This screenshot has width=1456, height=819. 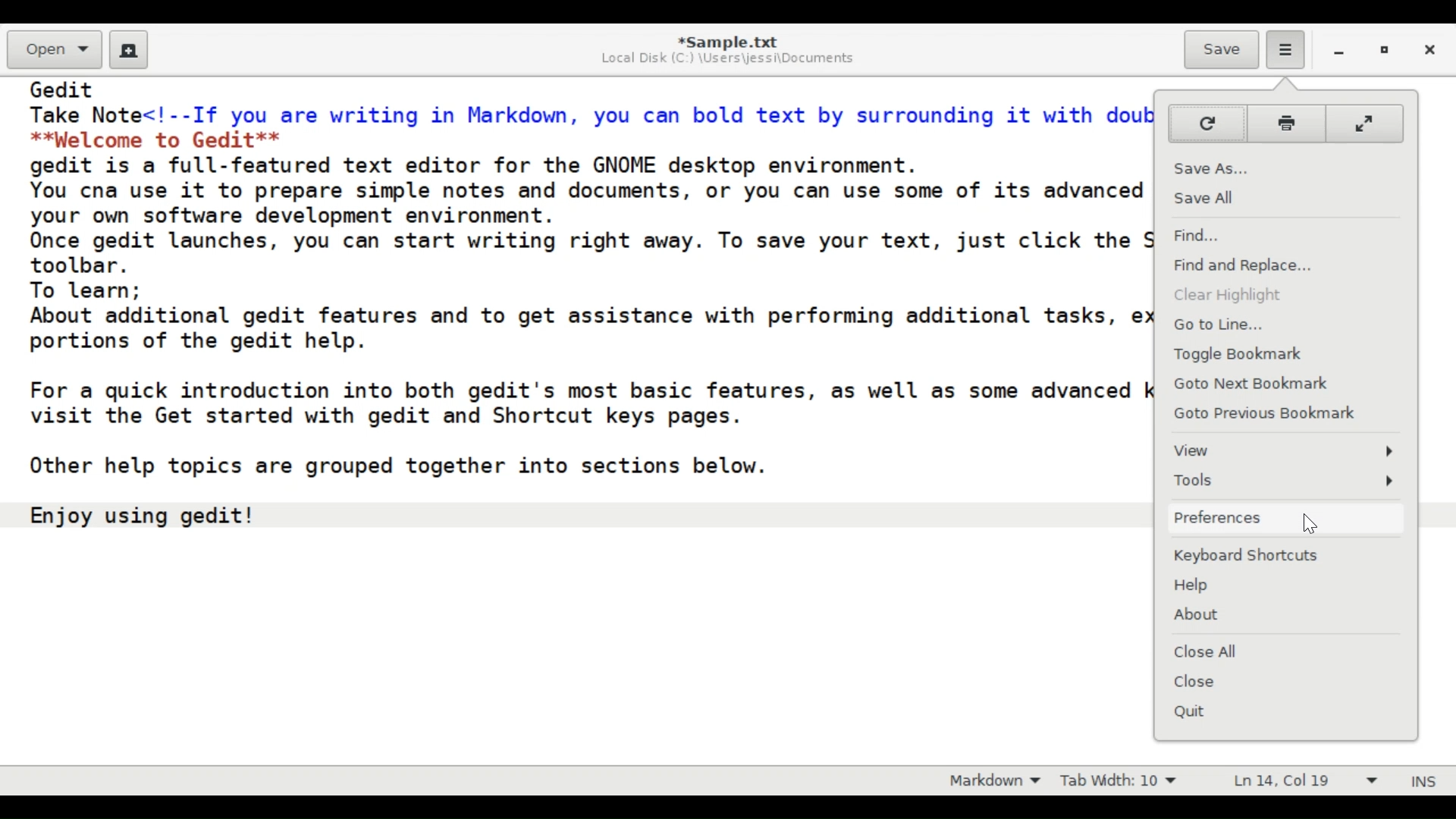 What do you see at coordinates (1336, 52) in the screenshot?
I see `minimize` at bounding box center [1336, 52].